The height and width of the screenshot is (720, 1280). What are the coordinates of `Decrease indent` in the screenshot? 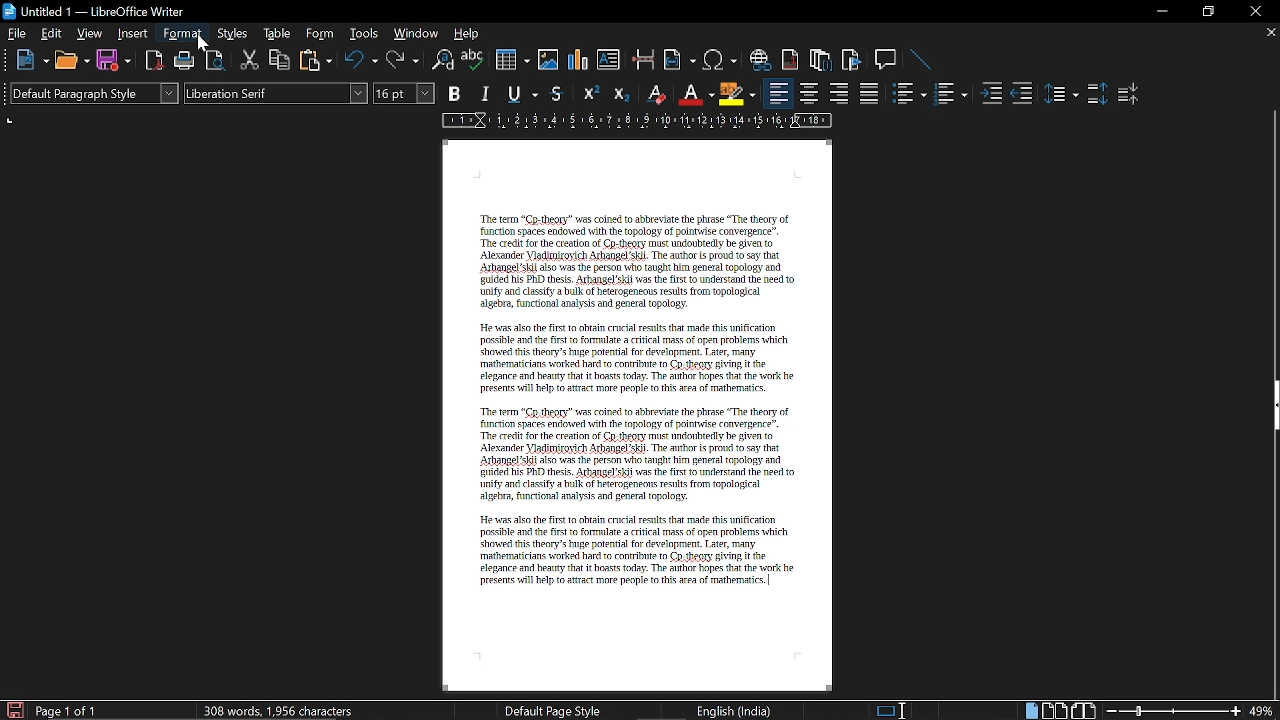 It's located at (1026, 93).